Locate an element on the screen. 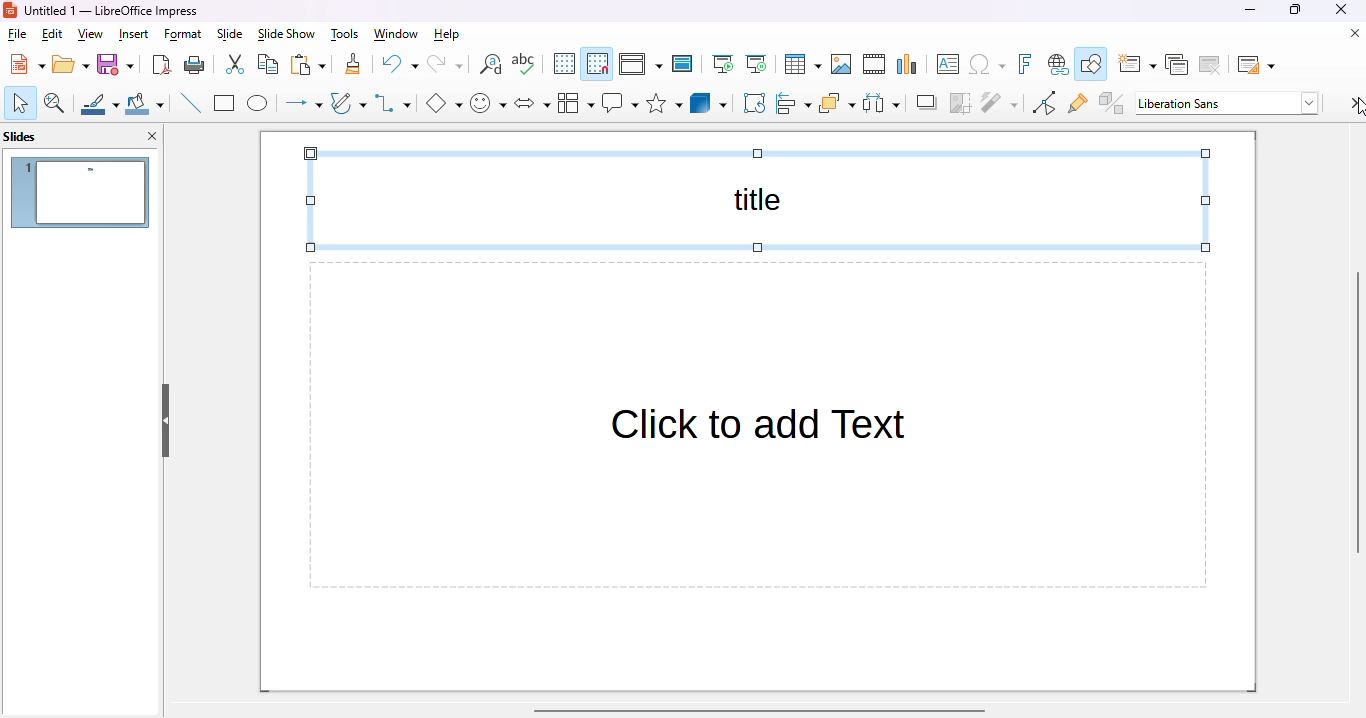 This screenshot has width=1366, height=718. view is located at coordinates (90, 35).